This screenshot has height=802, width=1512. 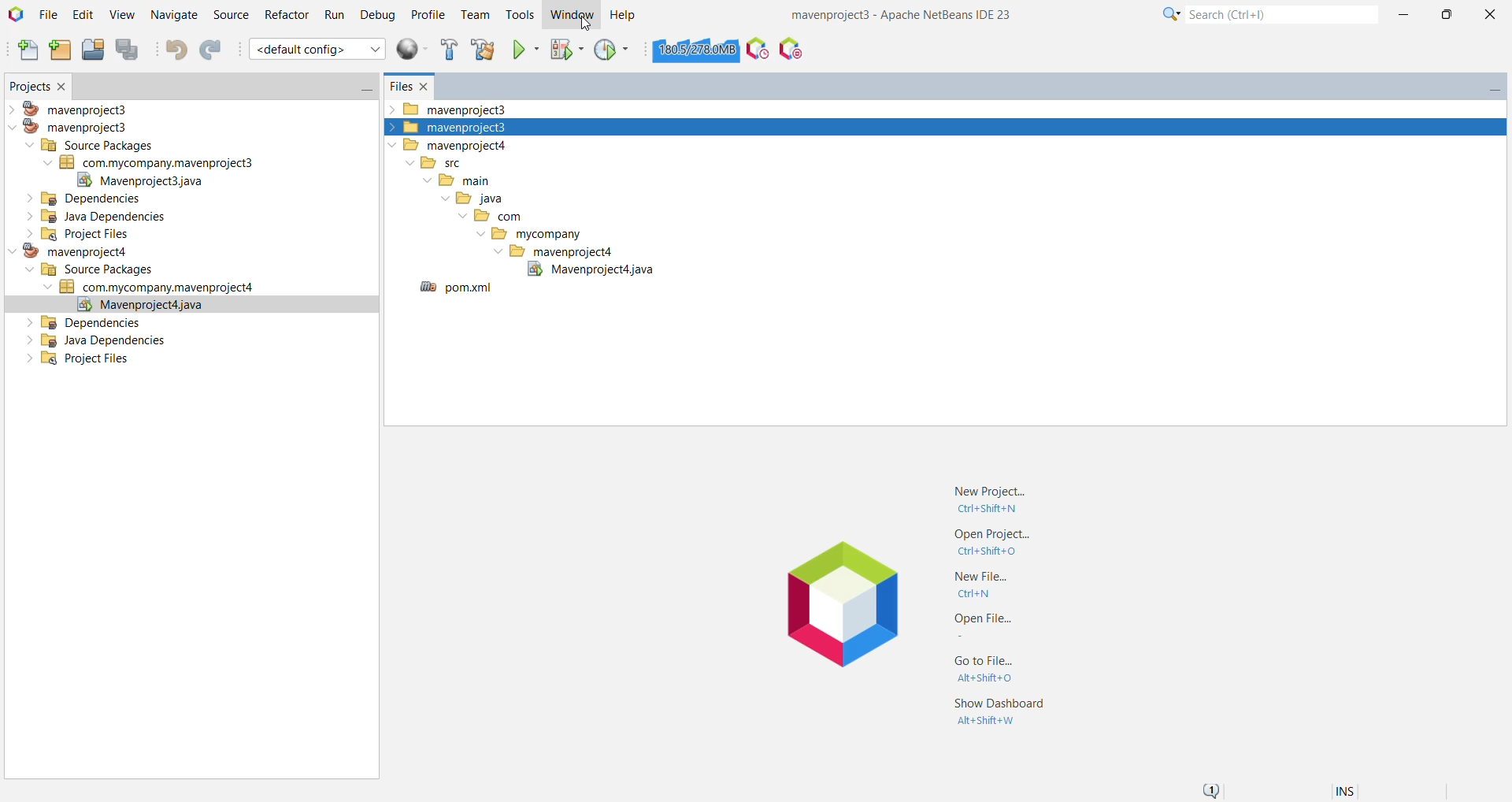 I want to click on Profile Project, so click(x=613, y=51).